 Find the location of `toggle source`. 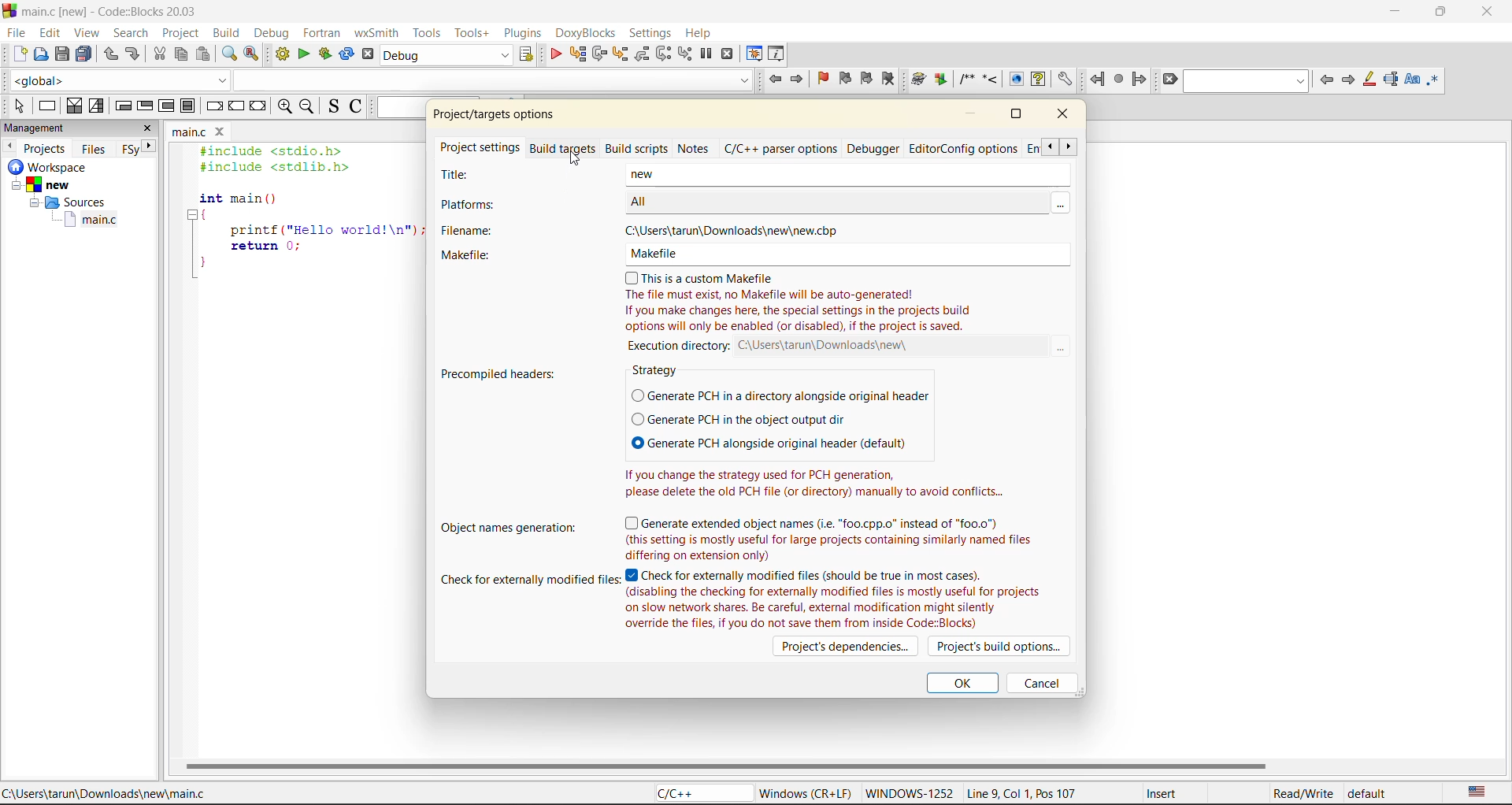

toggle source is located at coordinates (333, 106).